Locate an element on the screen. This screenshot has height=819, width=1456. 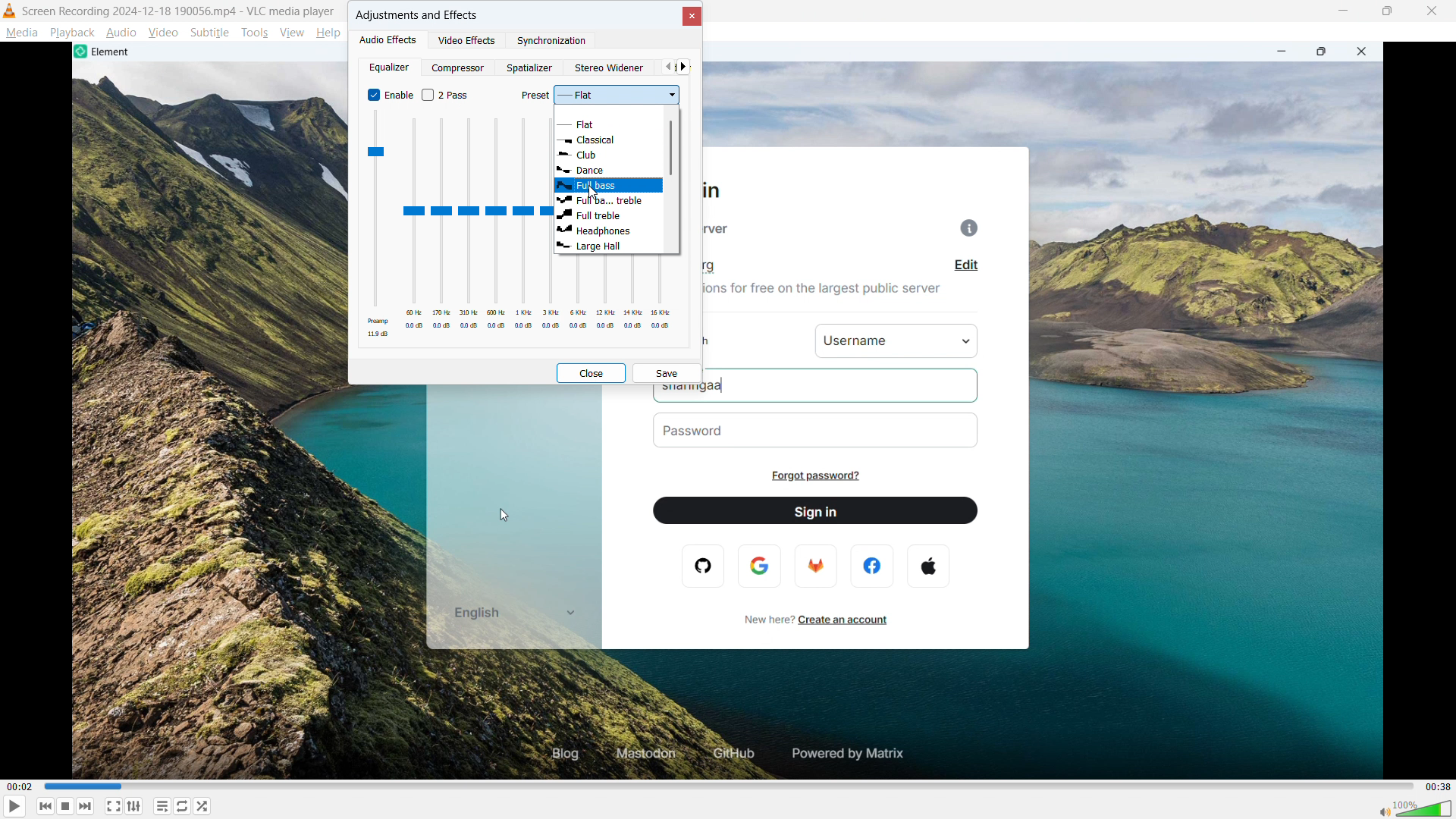
Video effects  is located at coordinates (468, 39).